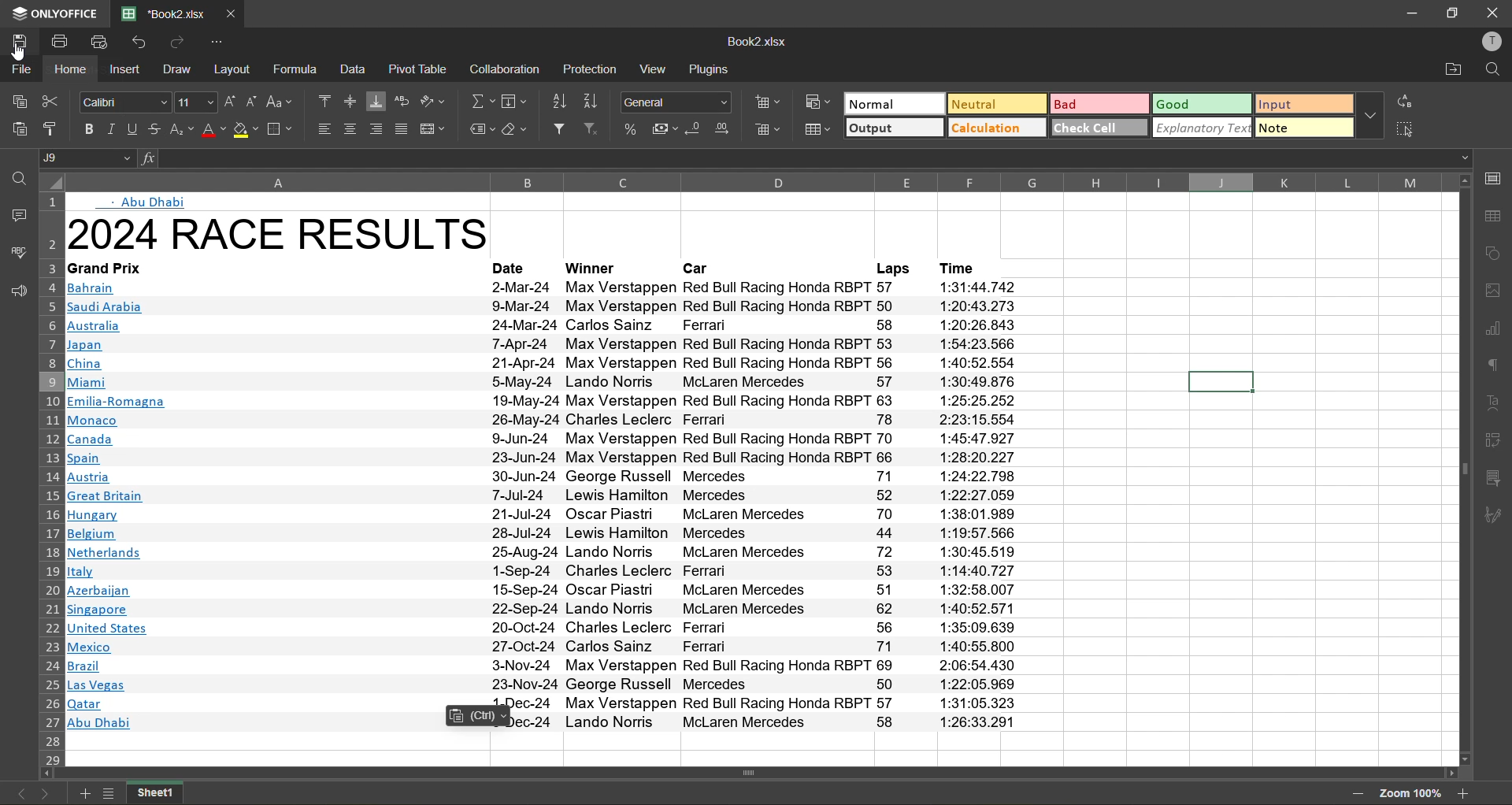 The width and height of the screenshot is (1512, 805). Describe the element at coordinates (283, 127) in the screenshot. I see `borders` at that location.